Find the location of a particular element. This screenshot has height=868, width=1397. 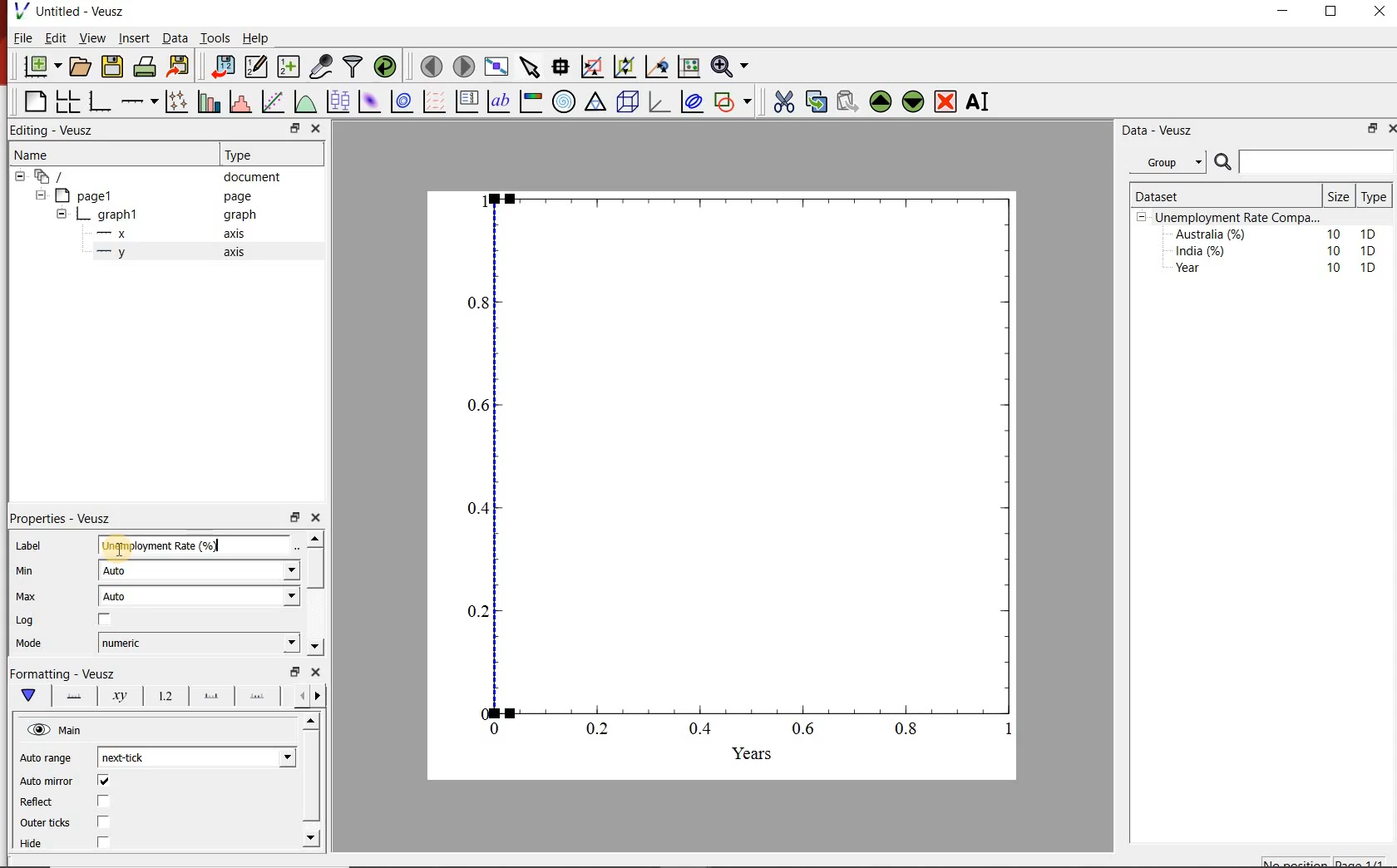

arrange graphs is located at coordinates (67, 101).